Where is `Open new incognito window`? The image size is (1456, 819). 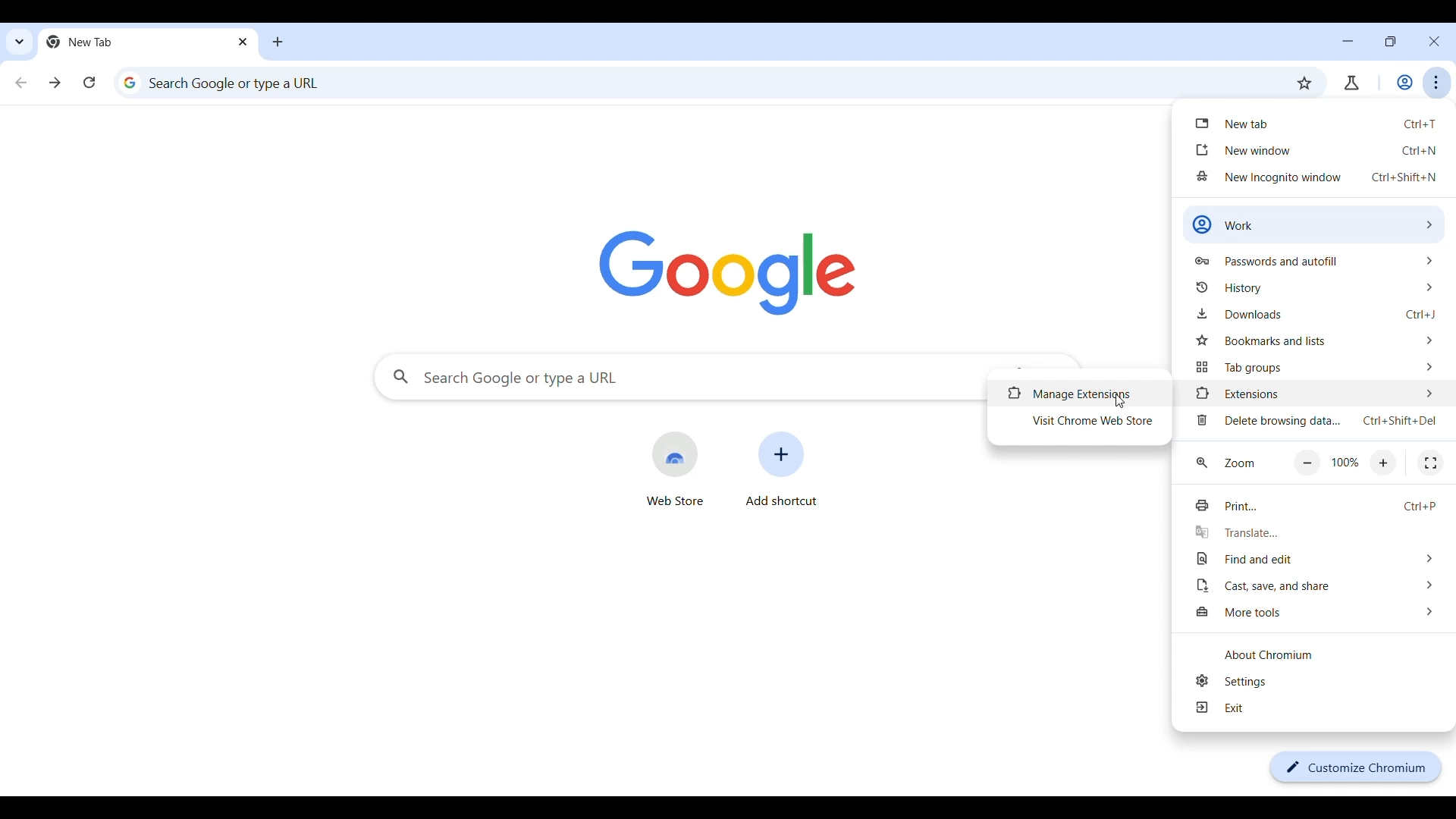 Open new incognito window is located at coordinates (1316, 177).